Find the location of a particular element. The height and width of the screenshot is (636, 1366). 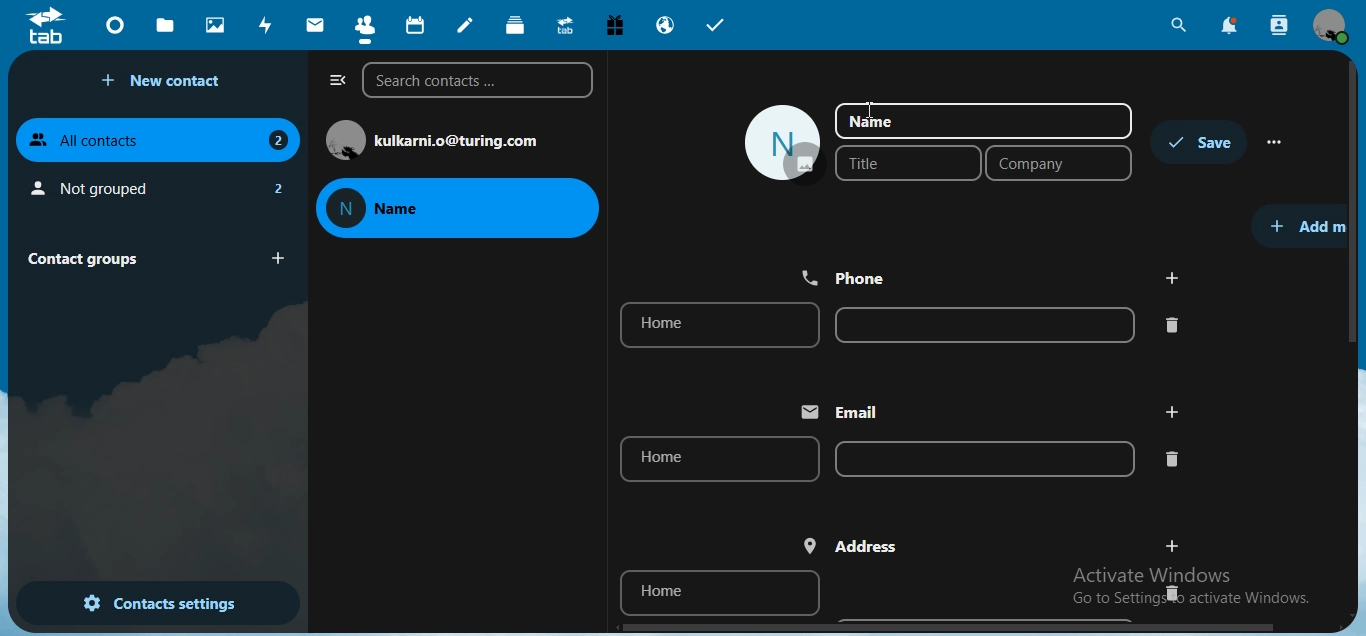

search is located at coordinates (1180, 25).